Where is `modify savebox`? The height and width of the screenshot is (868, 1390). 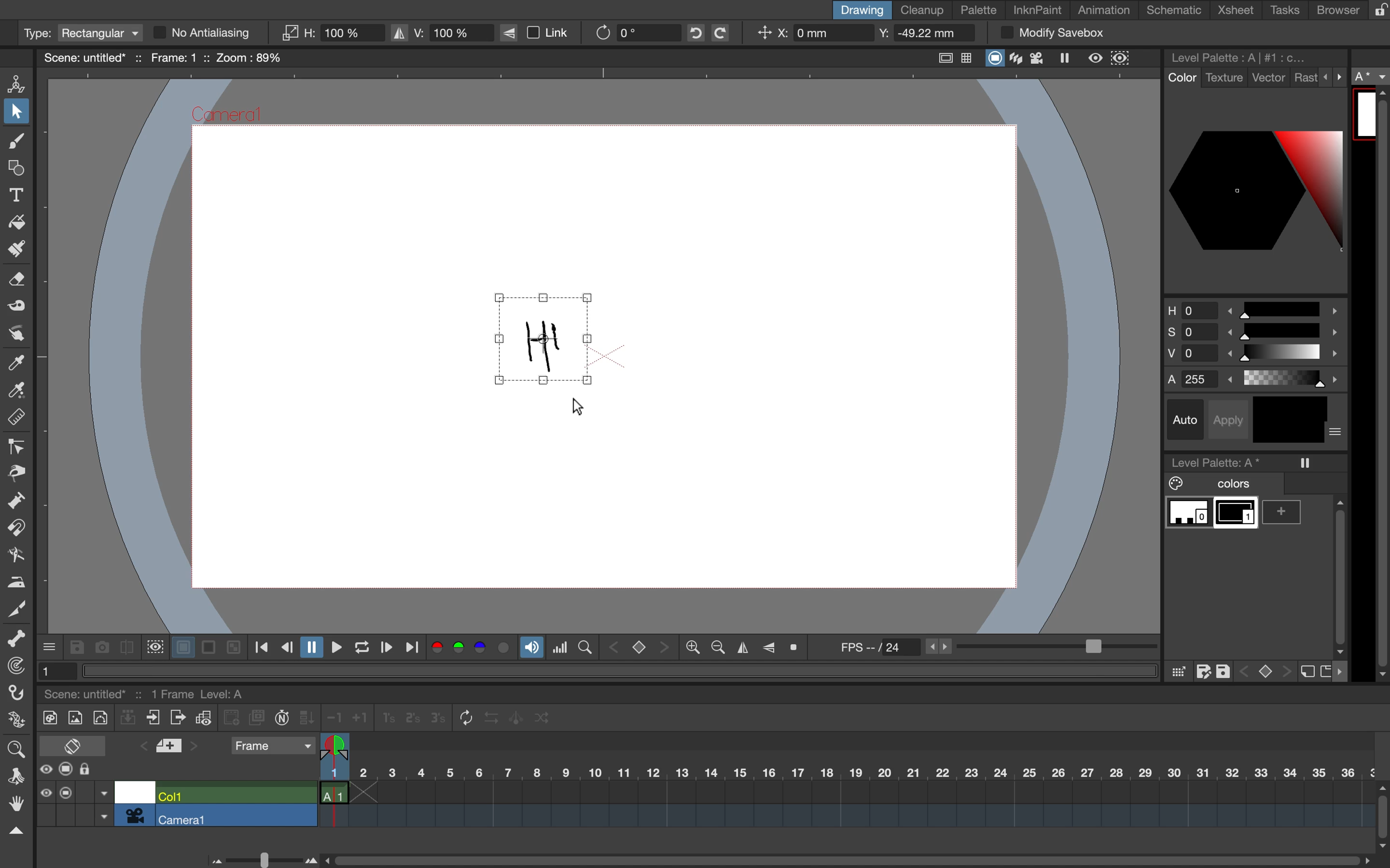
modify savebox is located at coordinates (1052, 33).